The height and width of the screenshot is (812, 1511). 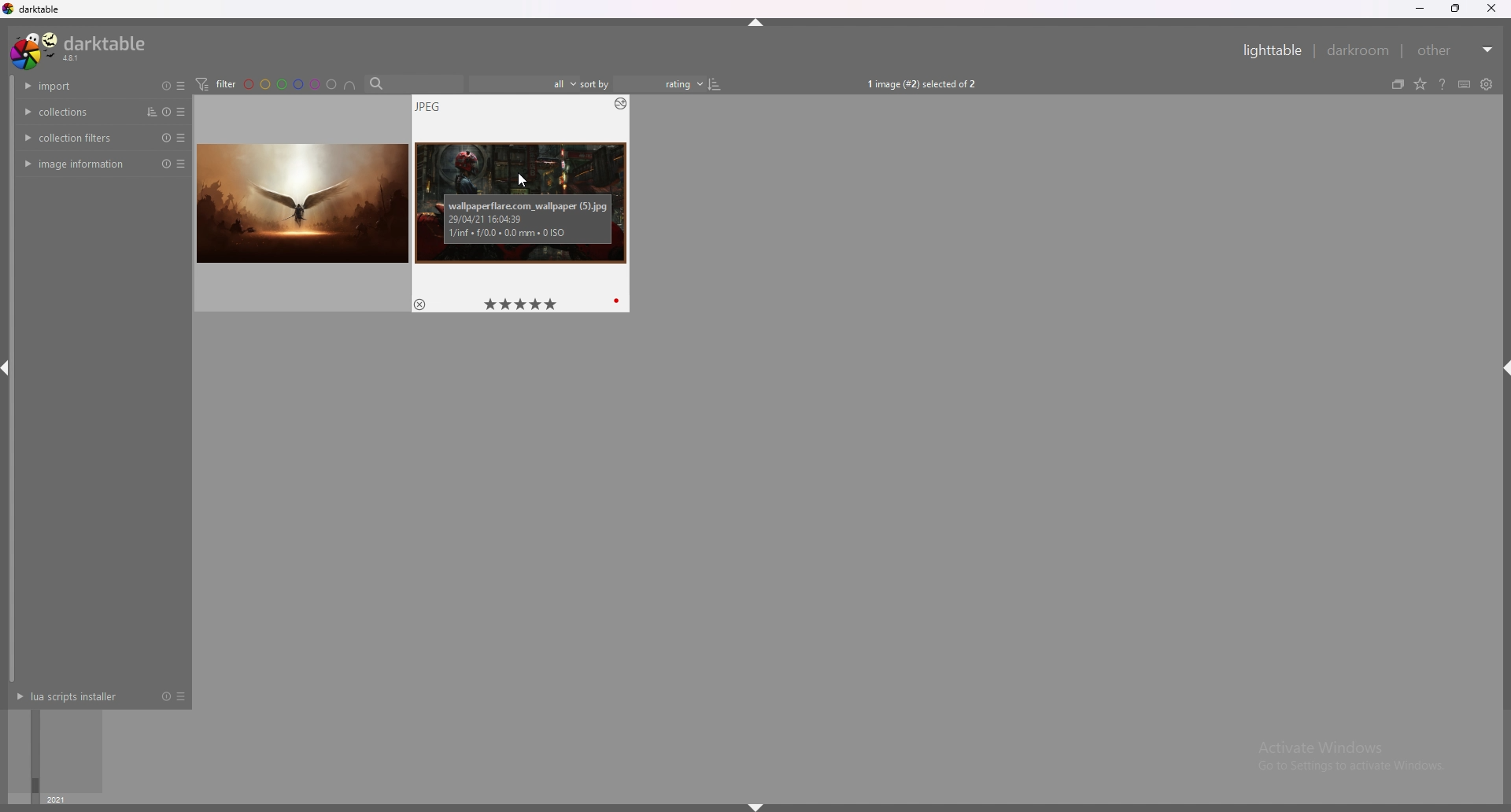 I want to click on red label, so click(x=619, y=301).